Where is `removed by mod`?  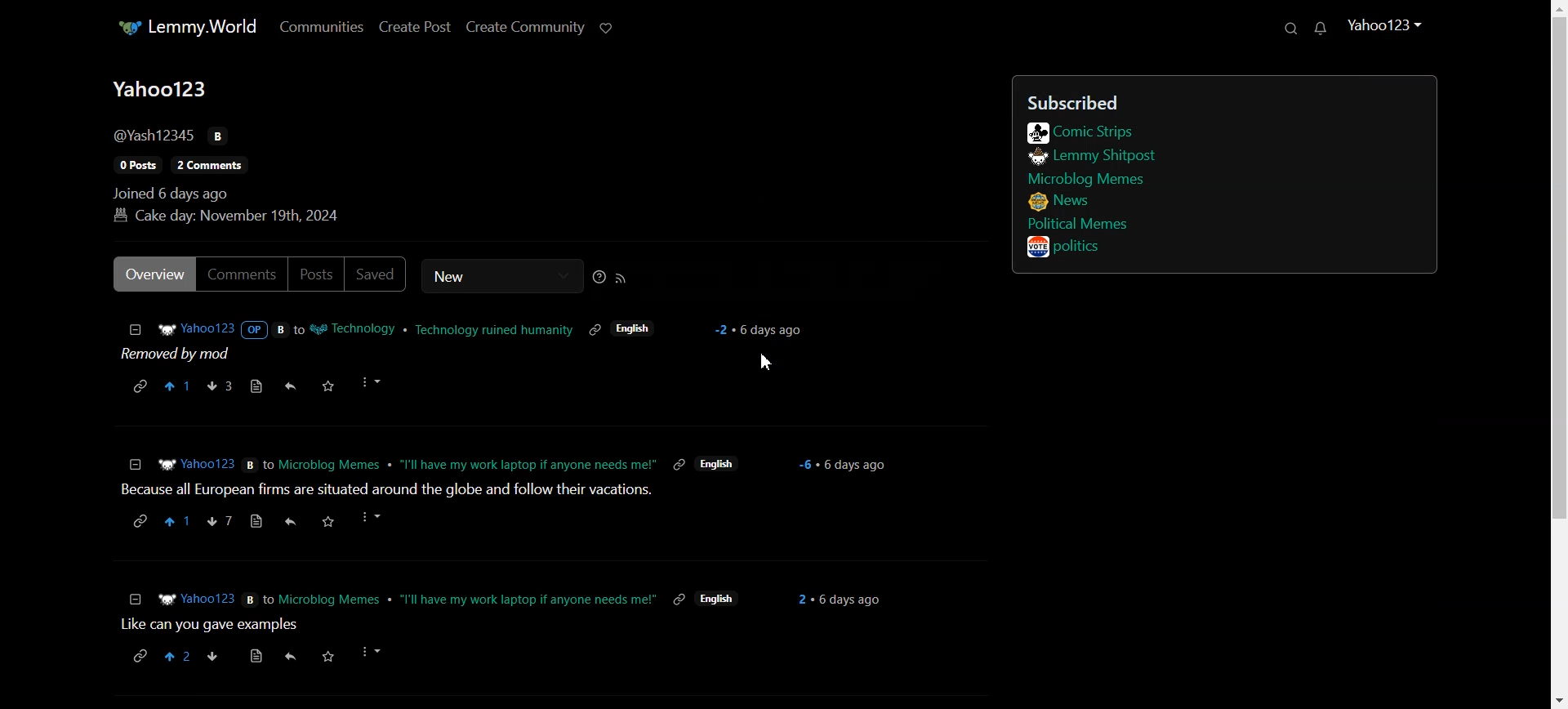
removed by mod is located at coordinates (182, 355).